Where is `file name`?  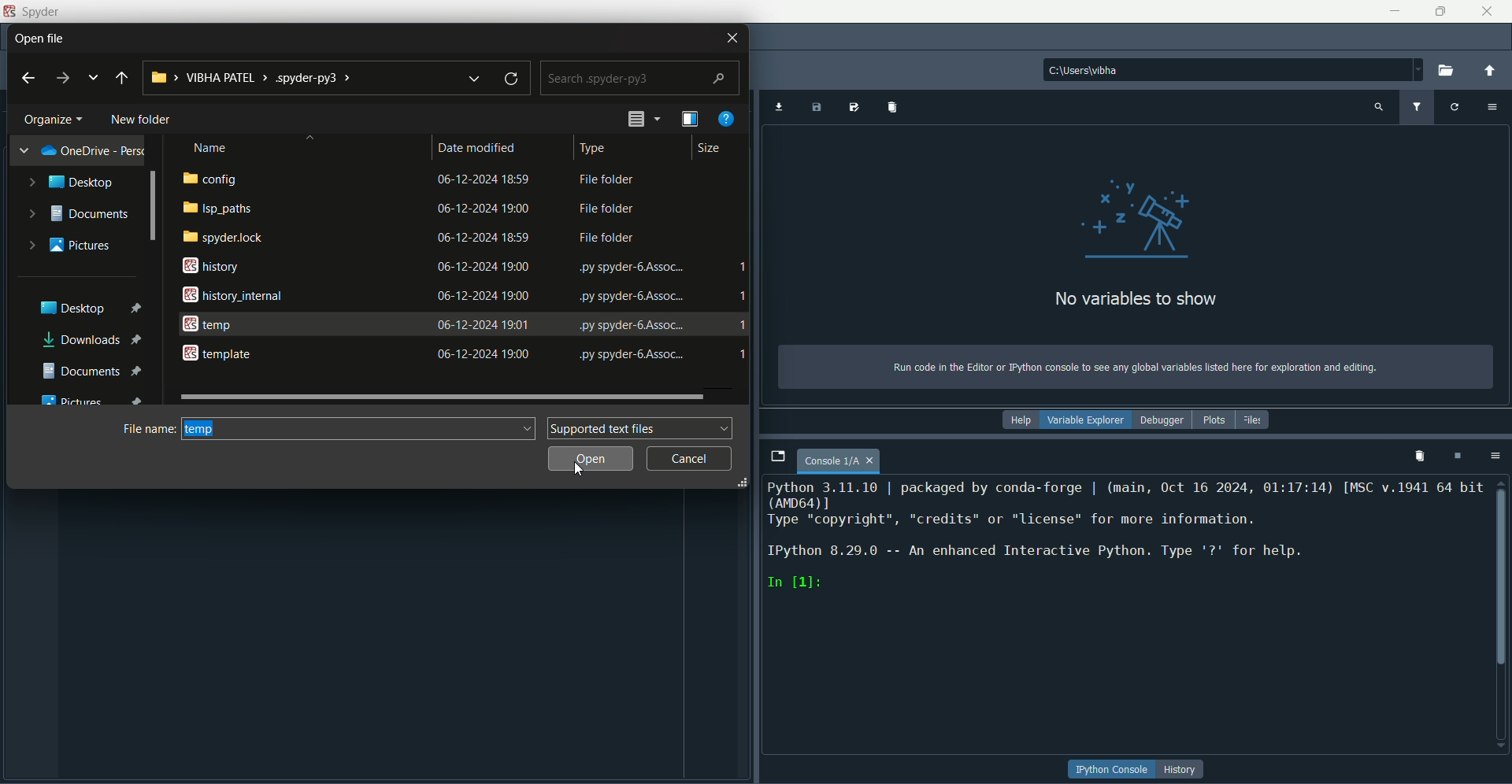
file name is located at coordinates (149, 427).